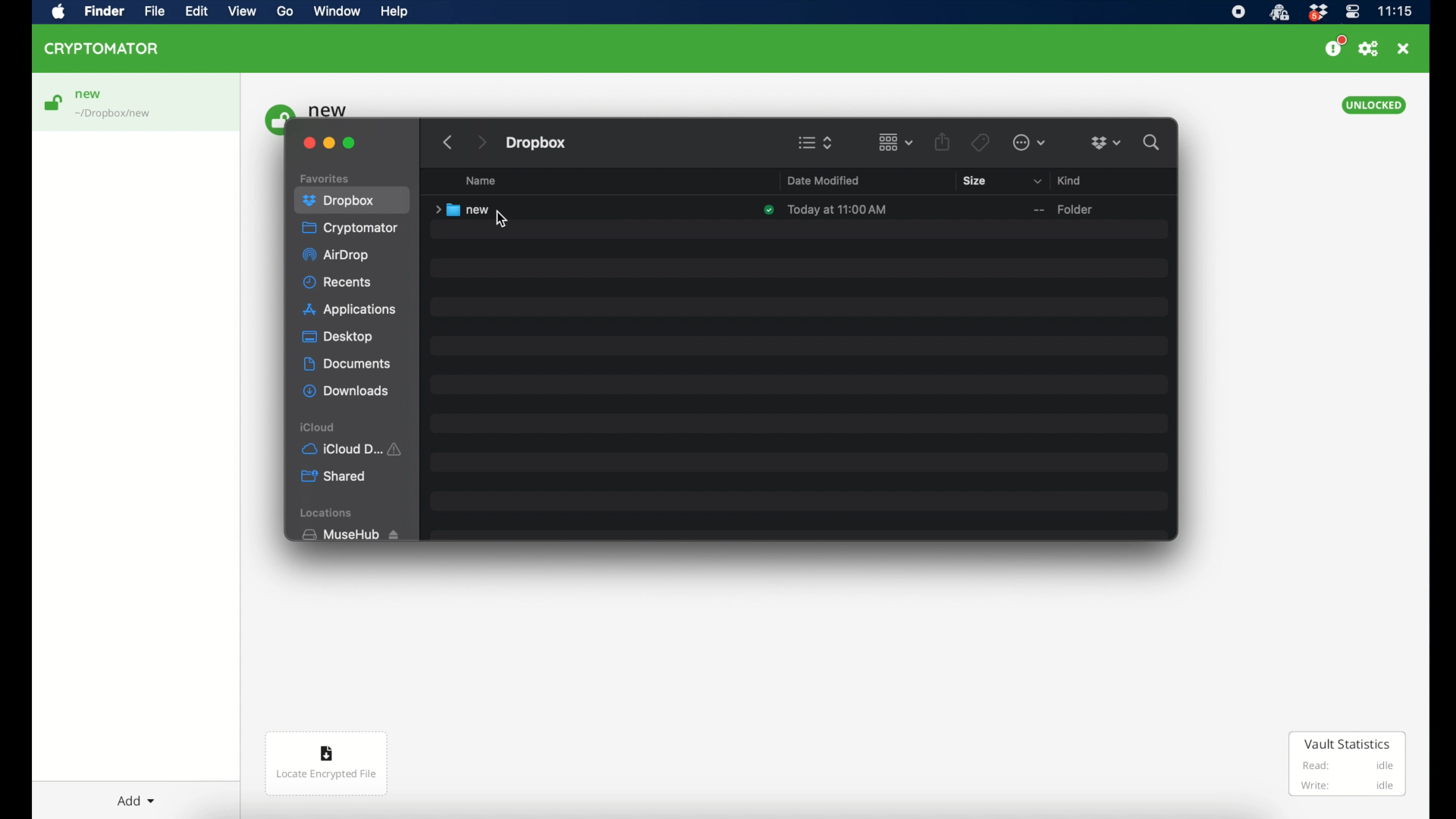  I want to click on maximize, so click(350, 143).